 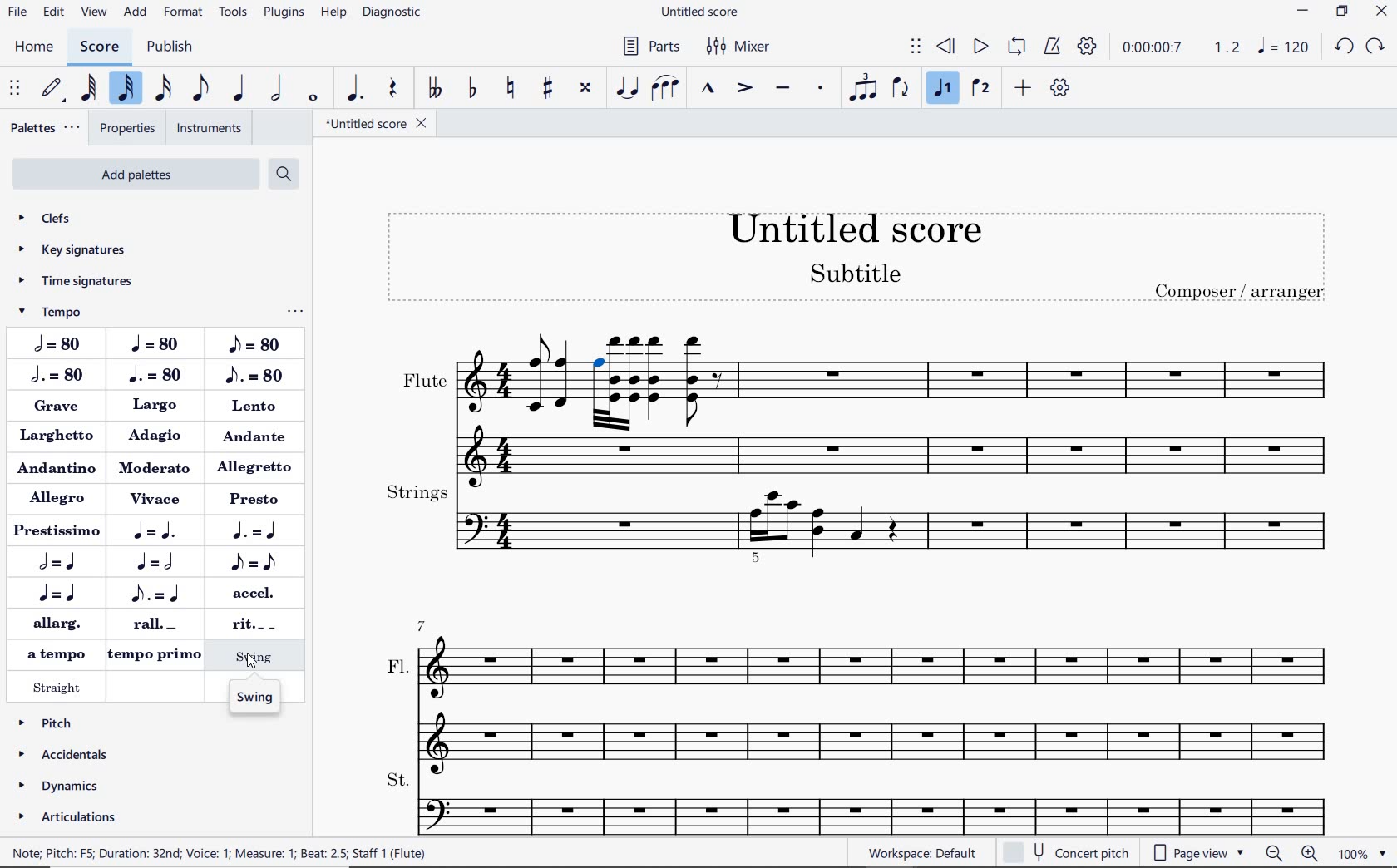 What do you see at coordinates (295, 312) in the screenshot?
I see `ellipsis` at bounding box center [295, 312].